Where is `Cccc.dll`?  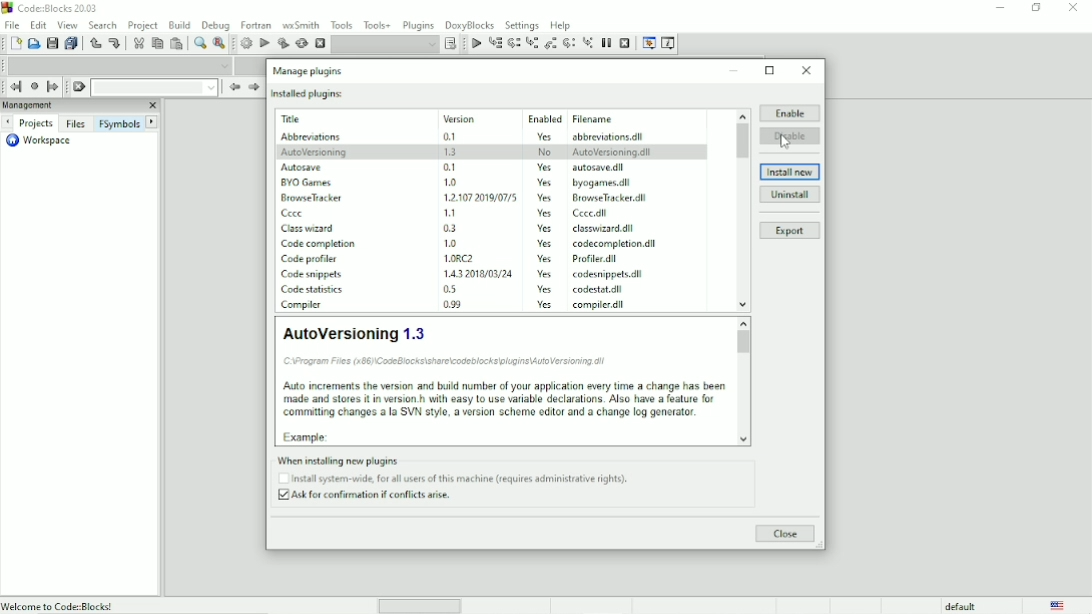
Cccc.dll is located at coordinates (593, 214).